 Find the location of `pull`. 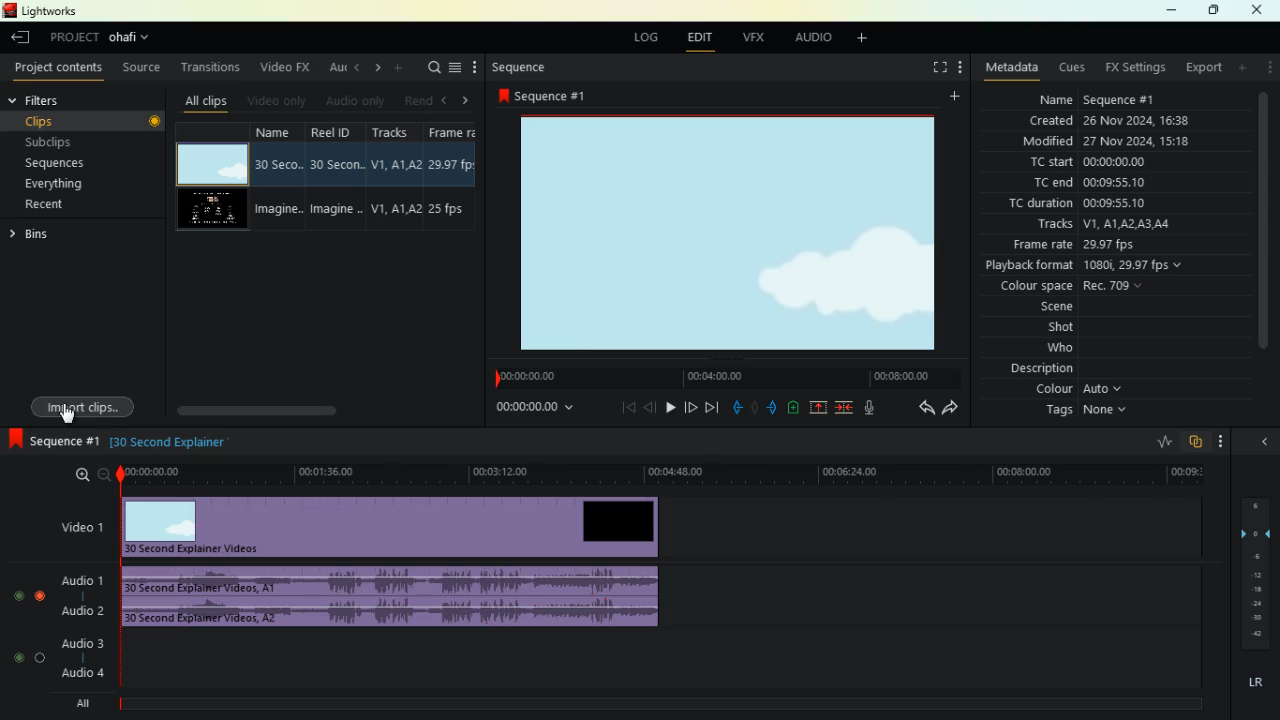

pull is located at coordinates (734, 408).